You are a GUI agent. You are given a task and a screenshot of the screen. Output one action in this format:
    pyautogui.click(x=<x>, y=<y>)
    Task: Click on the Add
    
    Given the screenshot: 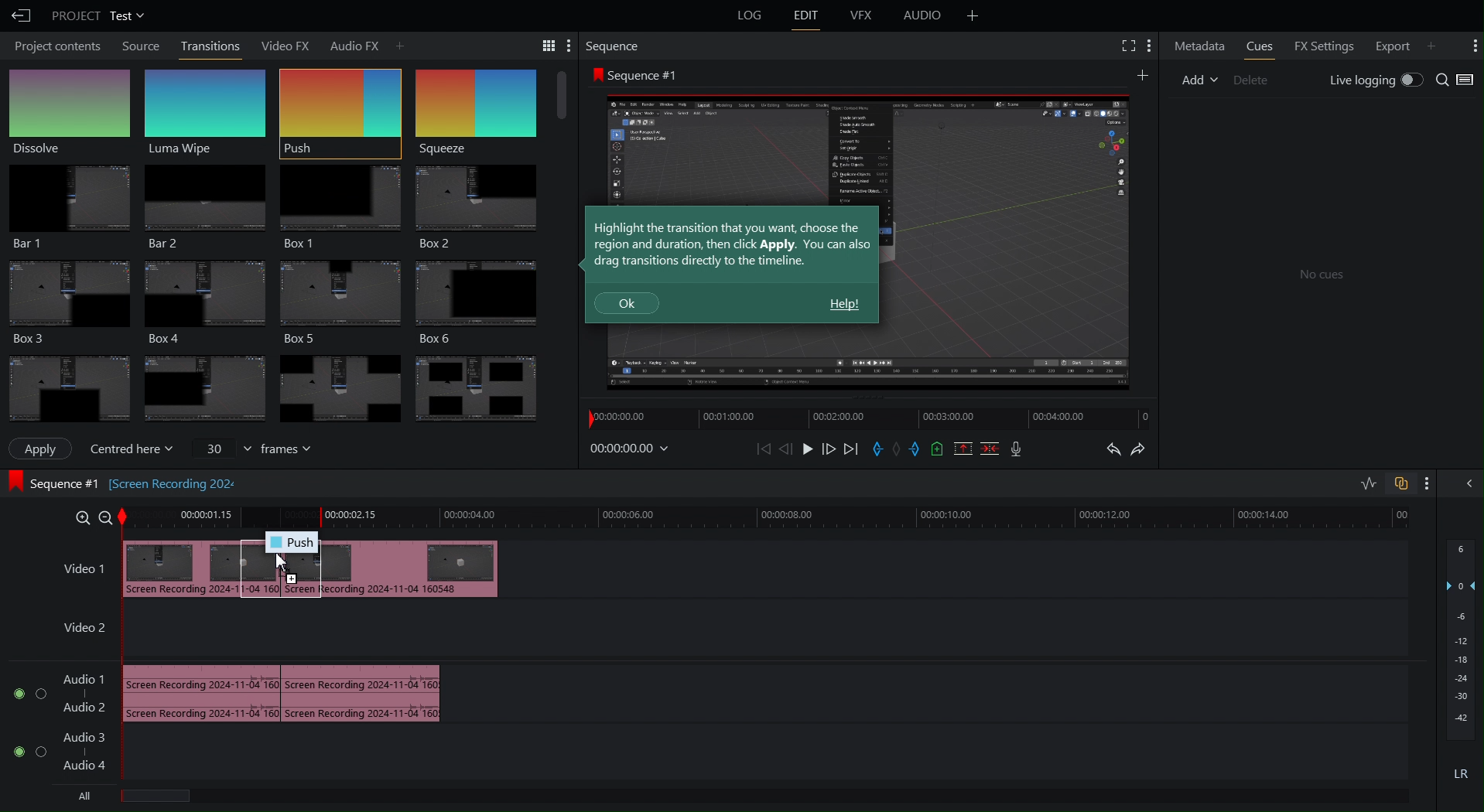 What is the action you would take?
    pyautogui.click(x=973, y=15)
    